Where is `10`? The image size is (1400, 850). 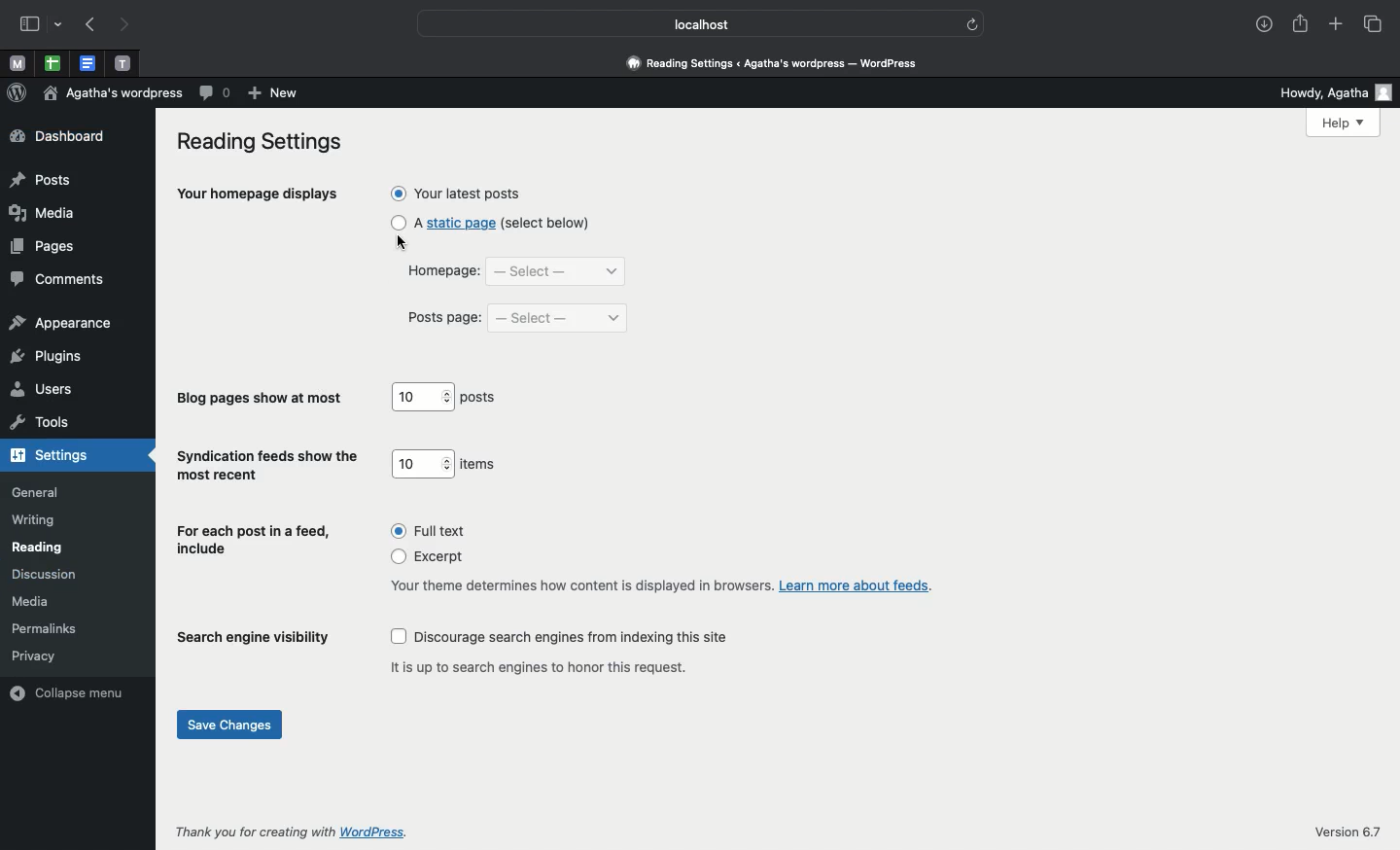 10 is located at coordinates (423, 463).